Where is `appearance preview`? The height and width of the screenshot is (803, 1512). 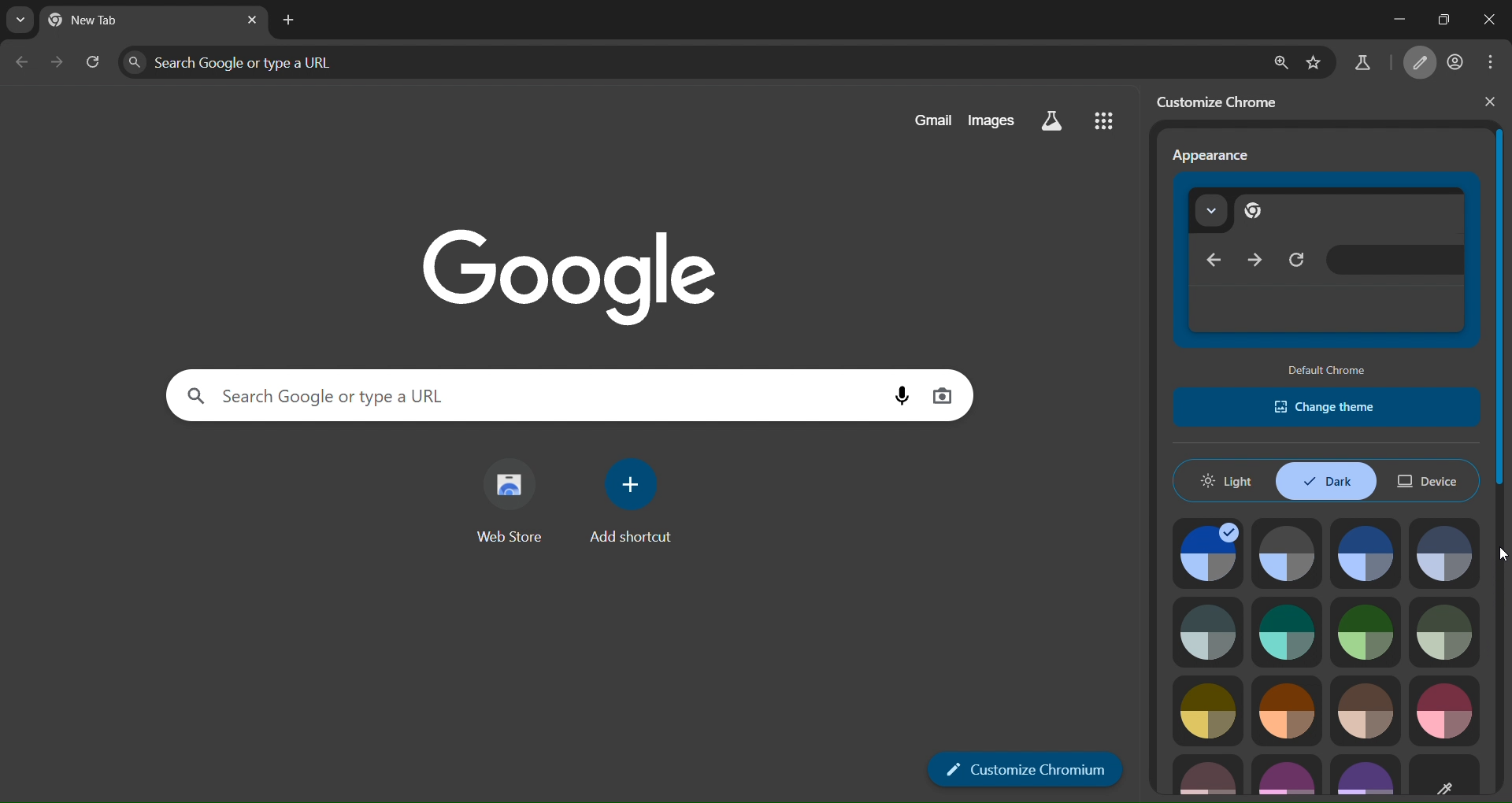 appearance preview is located at coordinates (1328, 263).